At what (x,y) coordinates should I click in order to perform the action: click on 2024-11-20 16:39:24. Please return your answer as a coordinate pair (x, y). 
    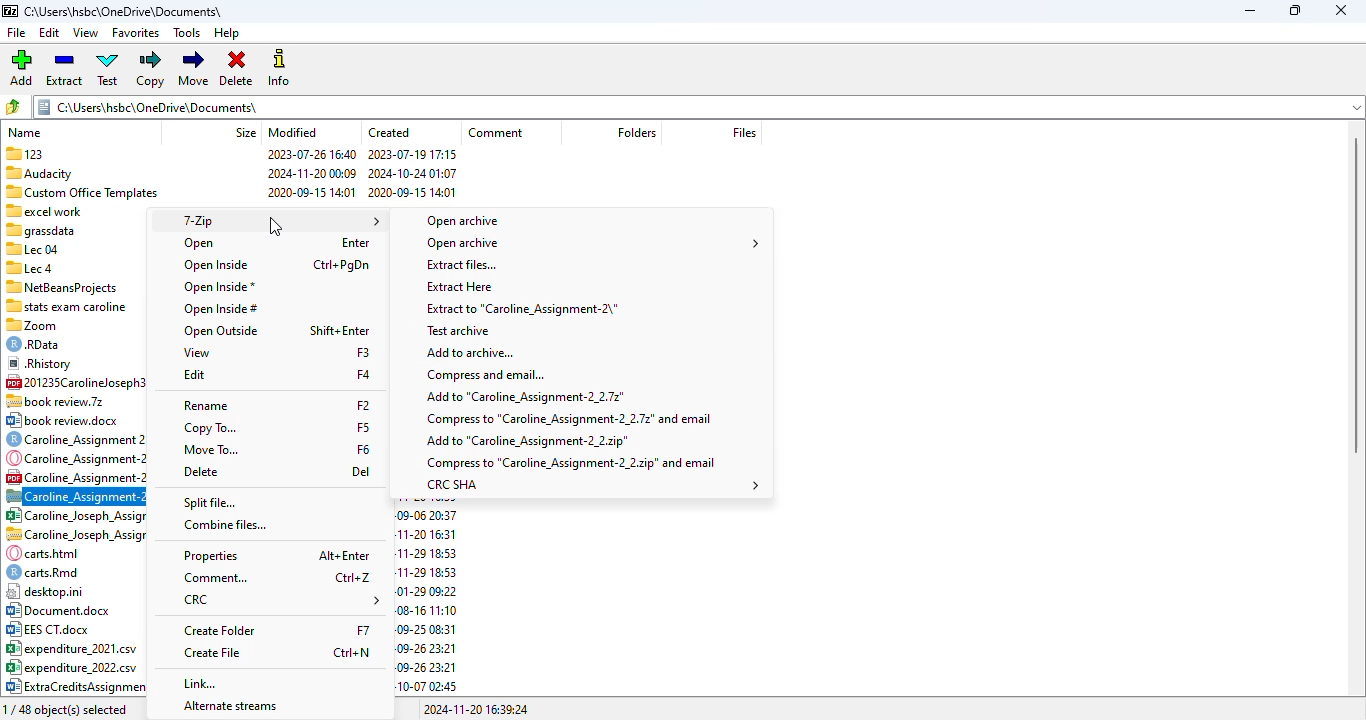
    Looking at the image, I should click on (476, 709).